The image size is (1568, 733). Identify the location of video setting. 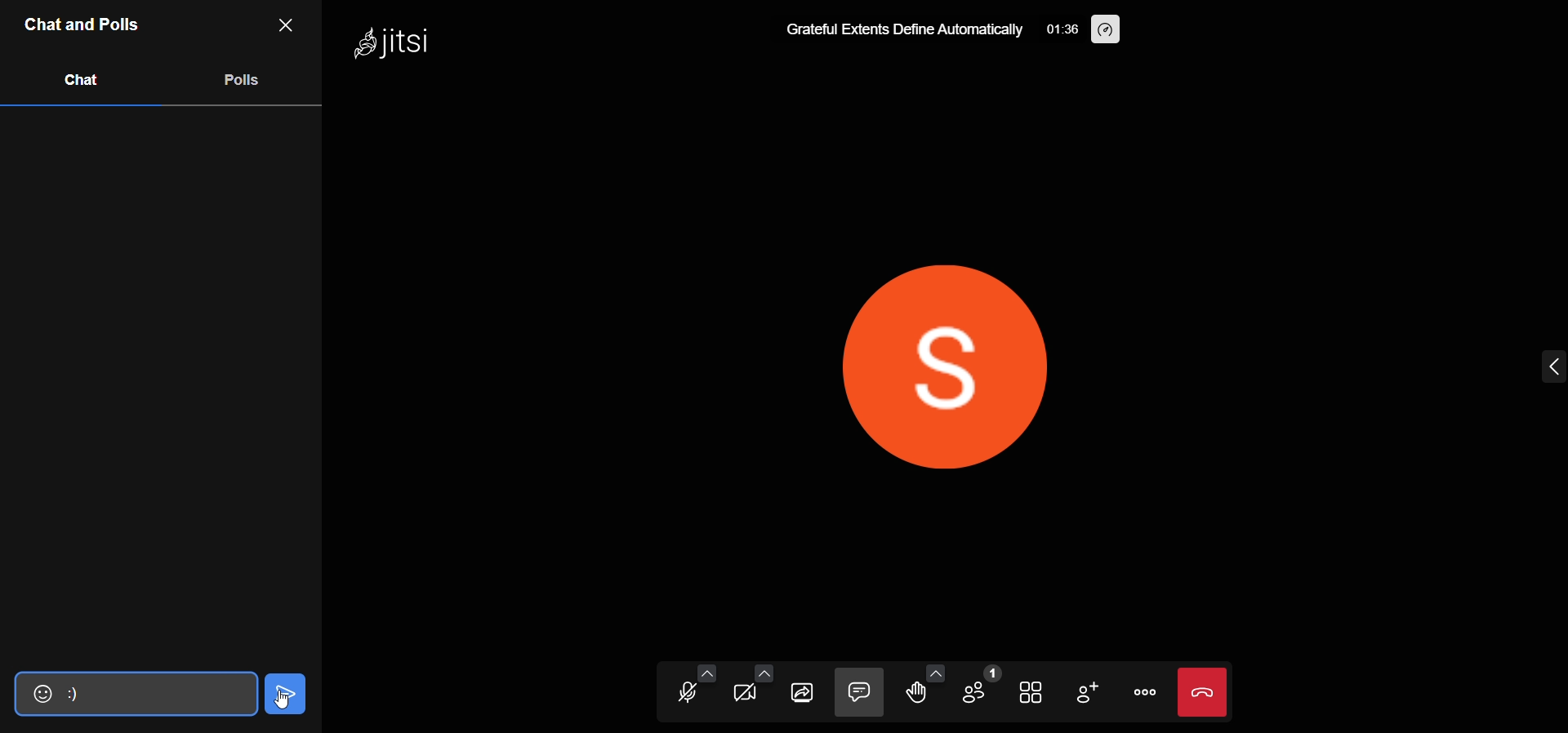
(764, 672).